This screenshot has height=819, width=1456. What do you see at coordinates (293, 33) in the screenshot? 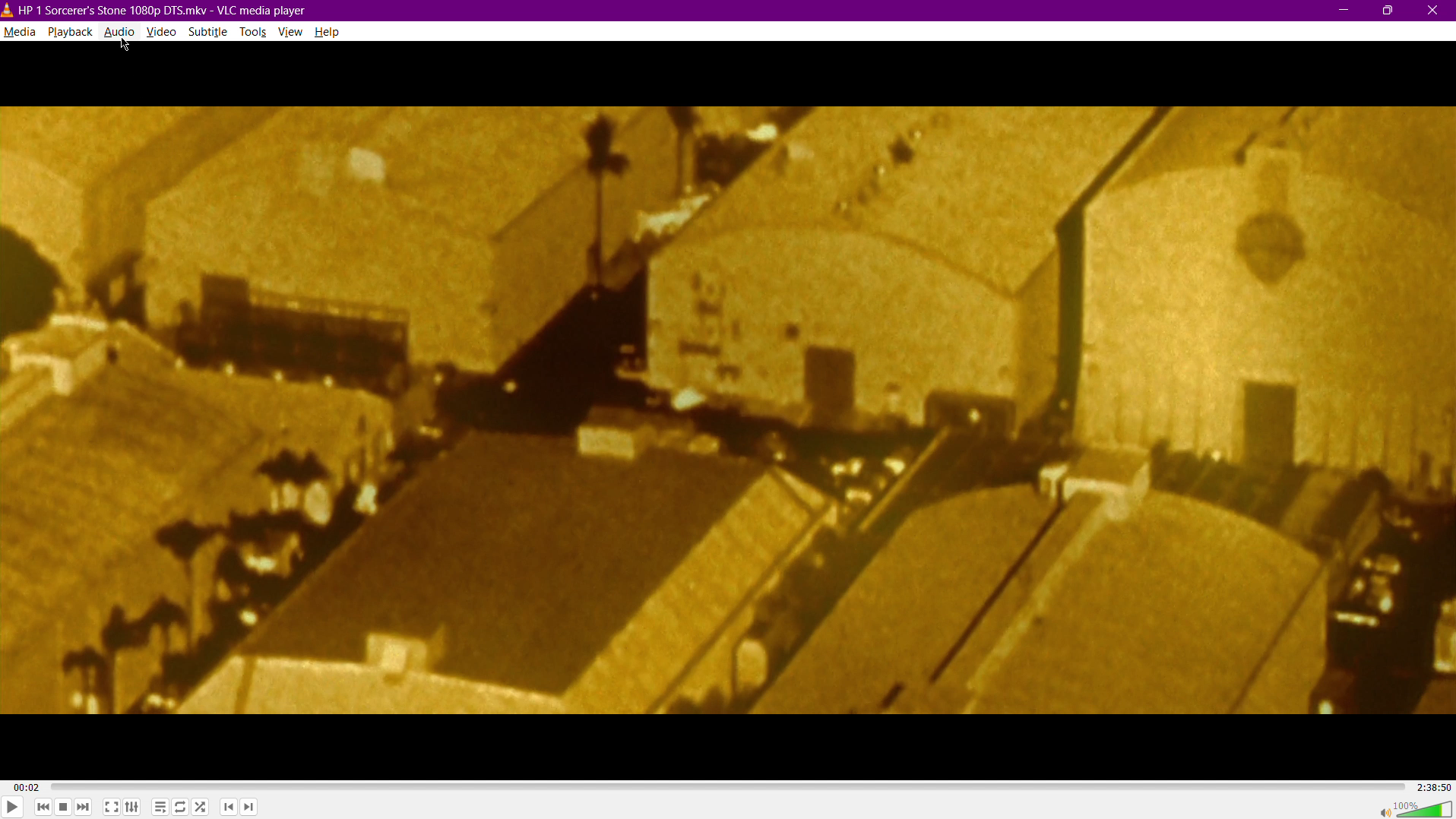
I see `View` at bounding box center [293, 33].